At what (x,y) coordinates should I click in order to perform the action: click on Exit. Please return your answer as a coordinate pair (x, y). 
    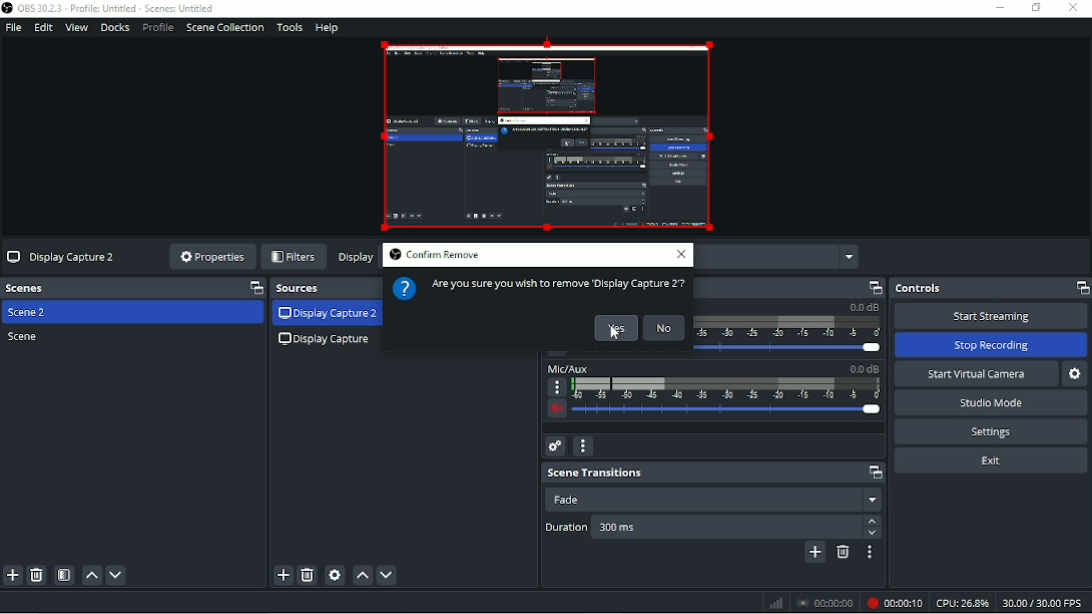
    Looking at the image, I should click on (992, 462).